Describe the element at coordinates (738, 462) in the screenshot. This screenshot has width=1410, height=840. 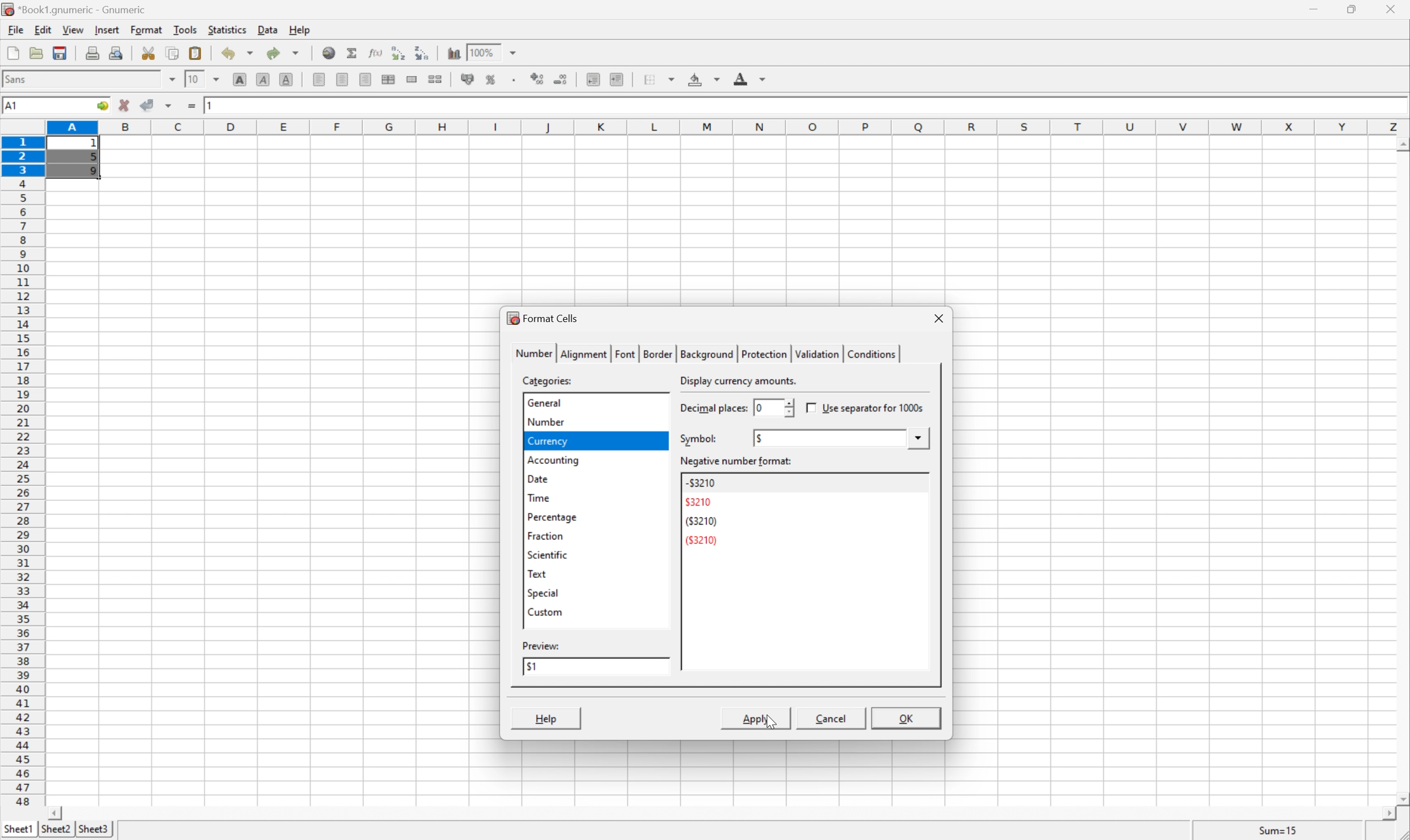
I see `negative number format` at that location.